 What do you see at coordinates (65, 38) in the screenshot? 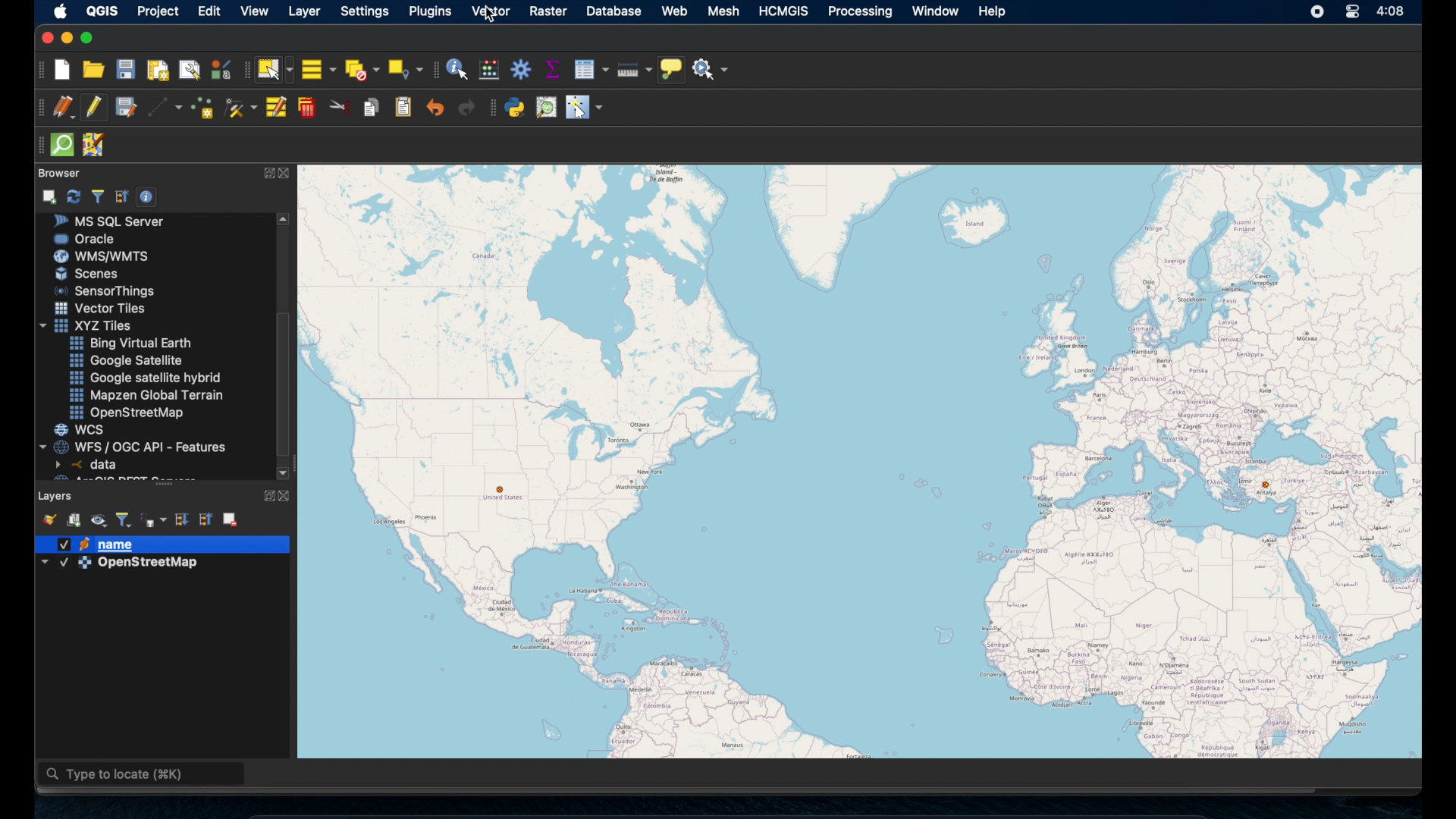
I see `minimize` at bounding box center [65, 38].